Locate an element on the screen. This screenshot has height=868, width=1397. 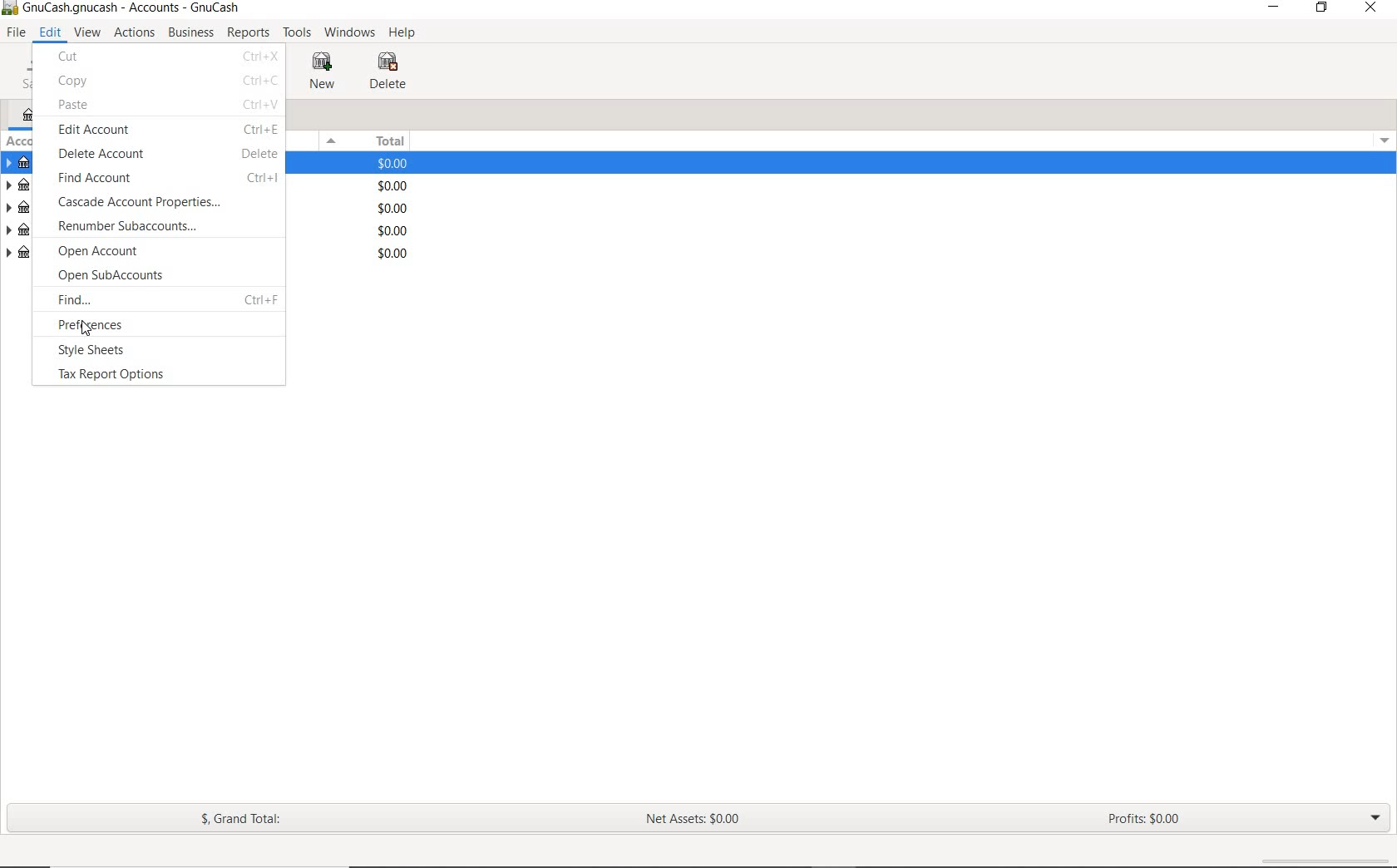
DELETE ACCOUNT is located at coordinates (166, 152).